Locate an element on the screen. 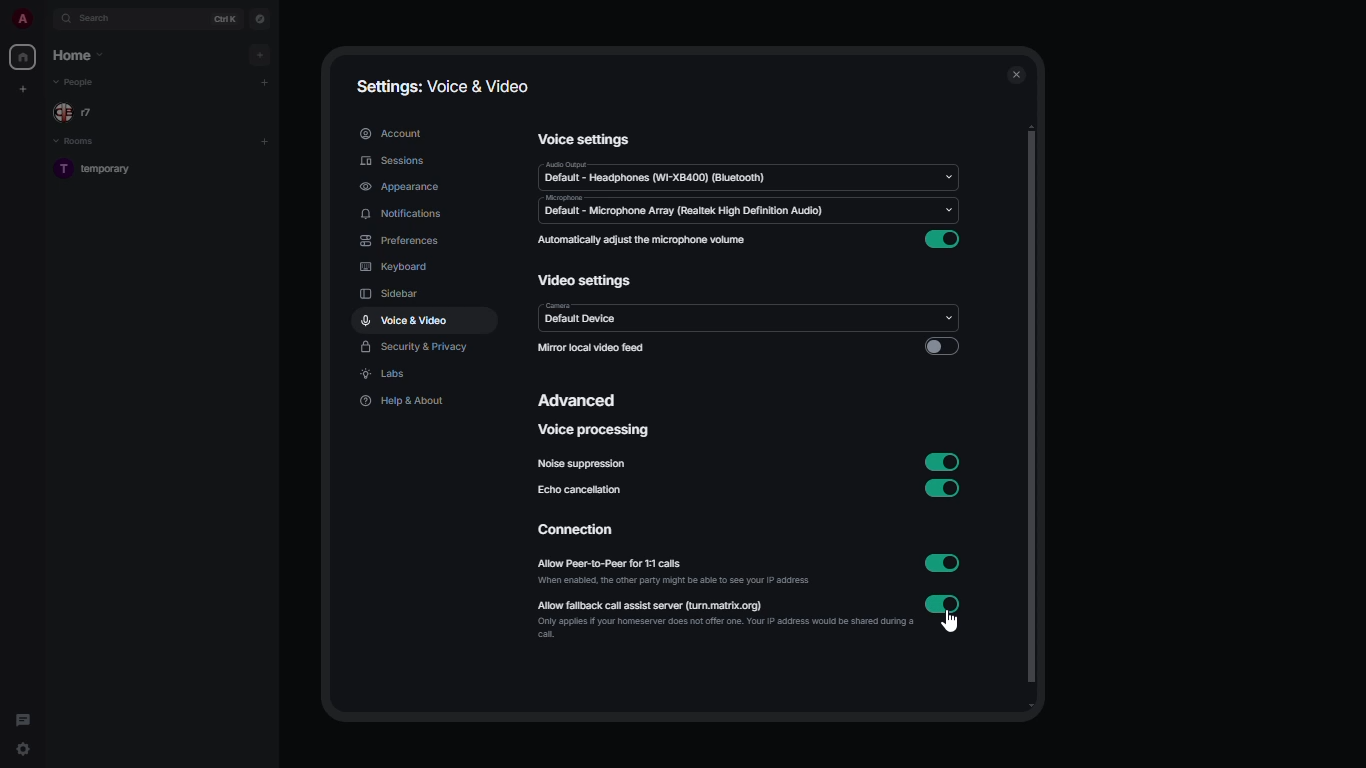 Image resolution: width=1366 pixels, height=768 pixels. quick settings is located at coordinates (23, 749).